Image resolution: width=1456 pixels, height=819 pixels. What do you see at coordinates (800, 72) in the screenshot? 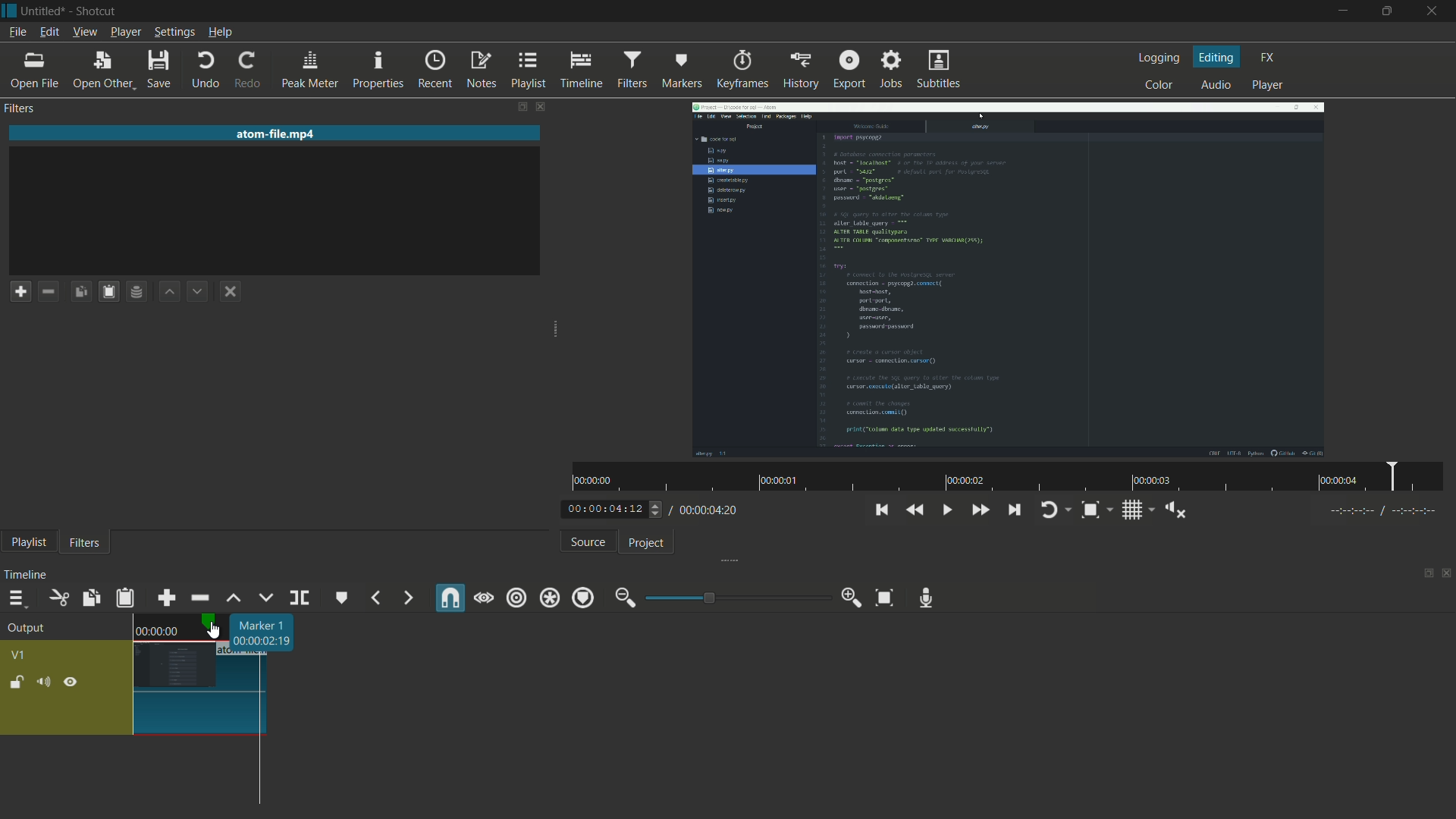
I see `history` at bounding box center [800, 72].